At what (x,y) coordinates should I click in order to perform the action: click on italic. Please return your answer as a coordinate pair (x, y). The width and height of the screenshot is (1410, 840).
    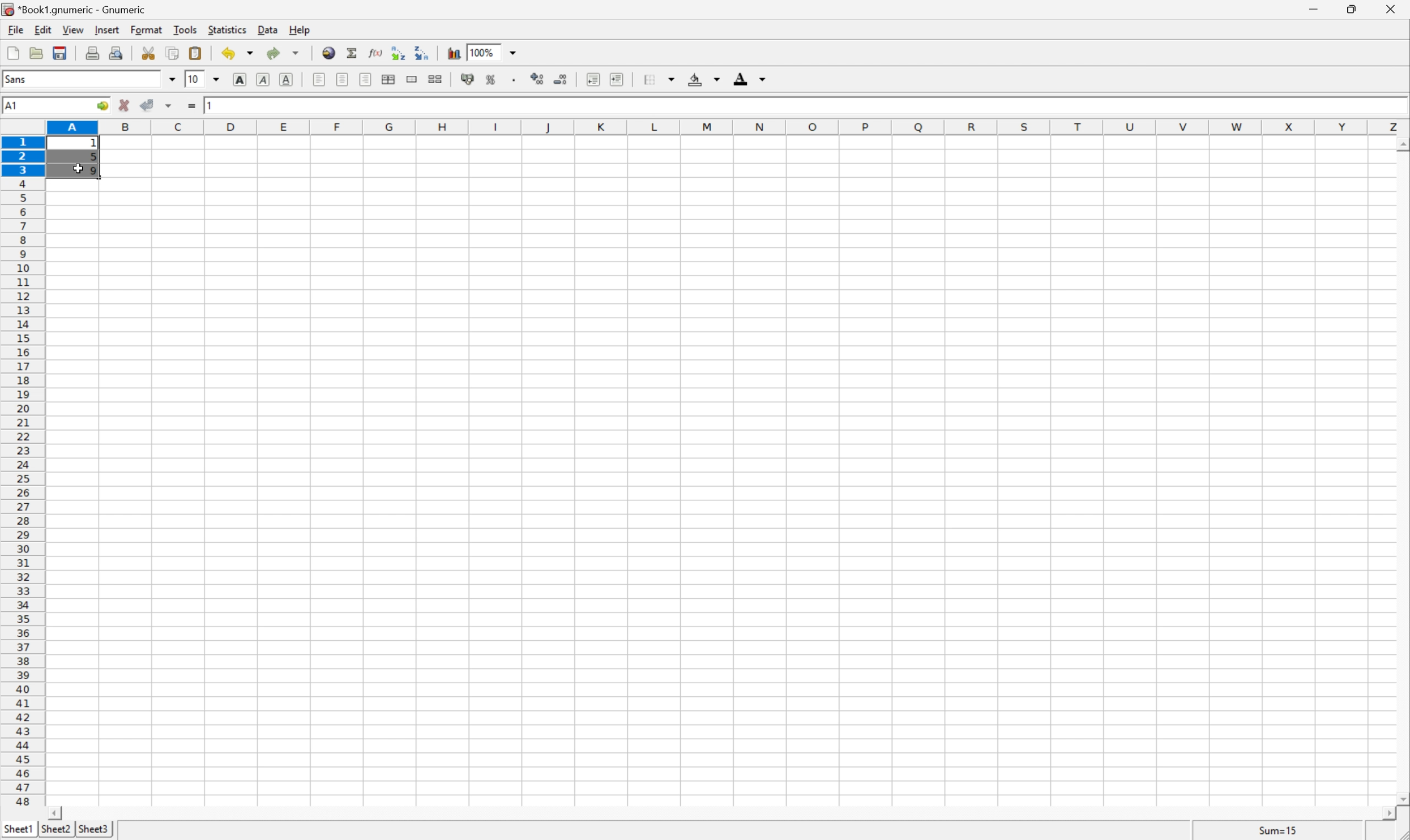
    Looking at the image, I should click on (264, 78).